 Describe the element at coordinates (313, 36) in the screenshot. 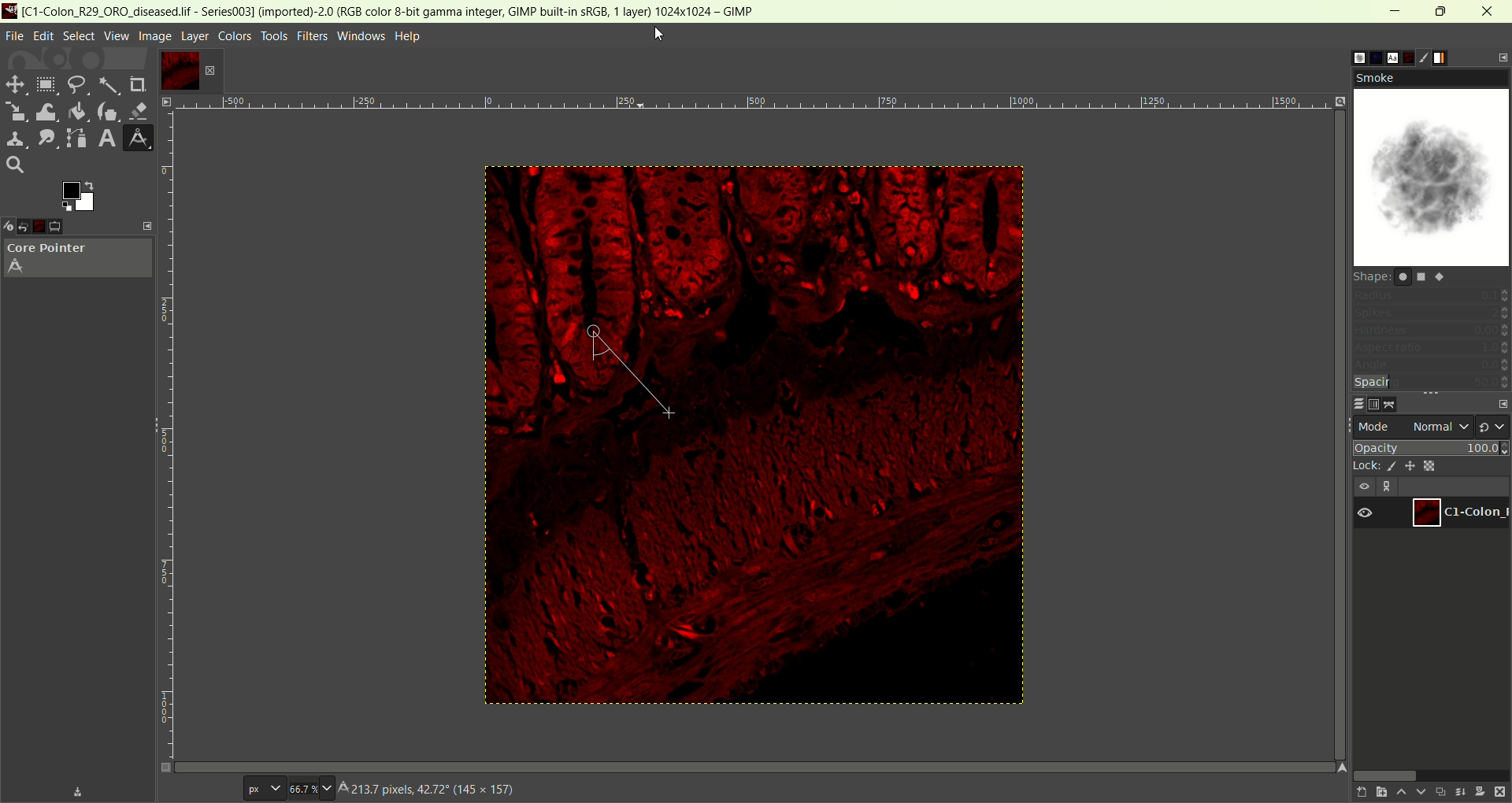

I see `filters` at that location.